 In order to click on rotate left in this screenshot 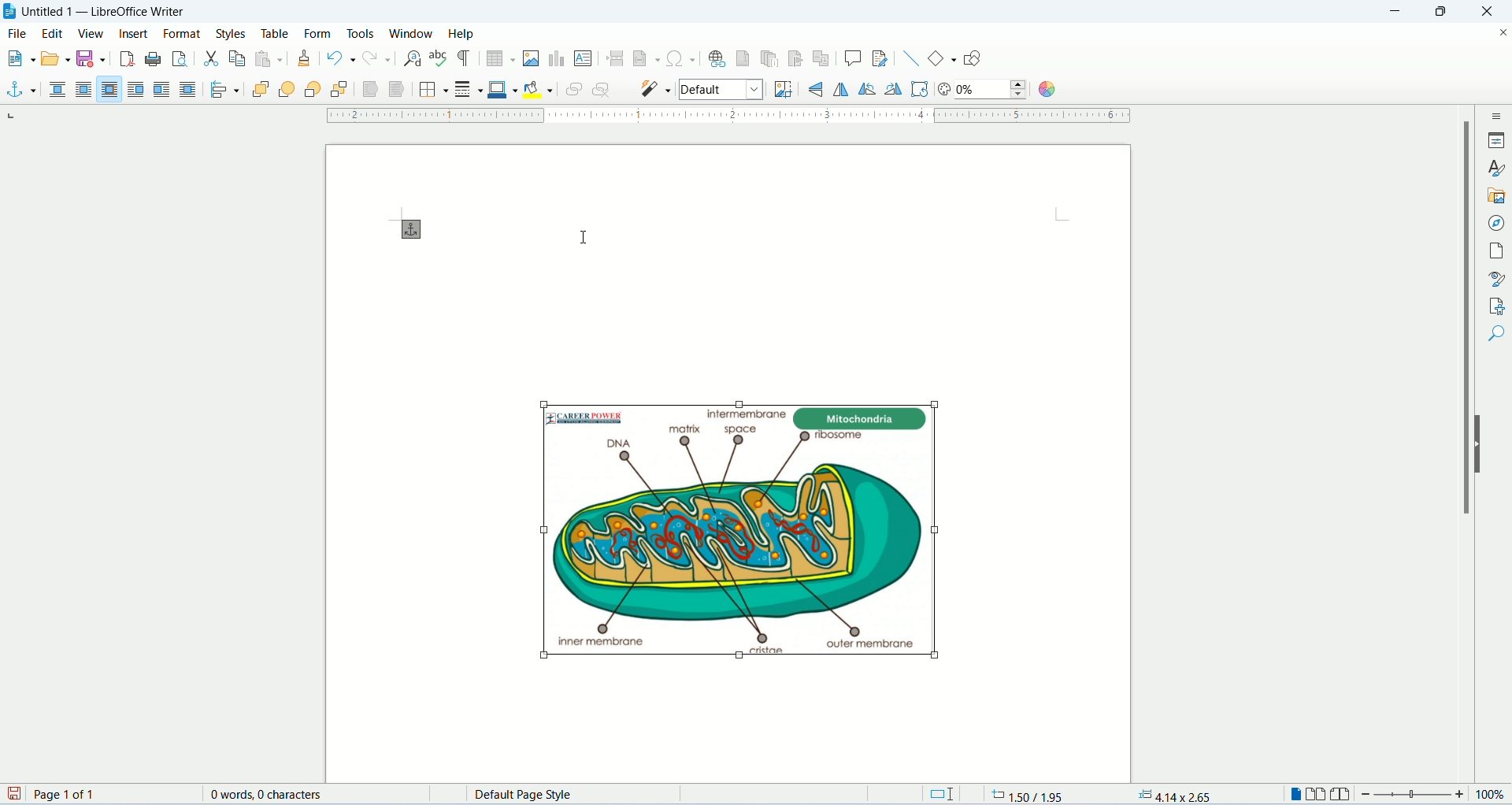, I will do `click(869, 90)`.